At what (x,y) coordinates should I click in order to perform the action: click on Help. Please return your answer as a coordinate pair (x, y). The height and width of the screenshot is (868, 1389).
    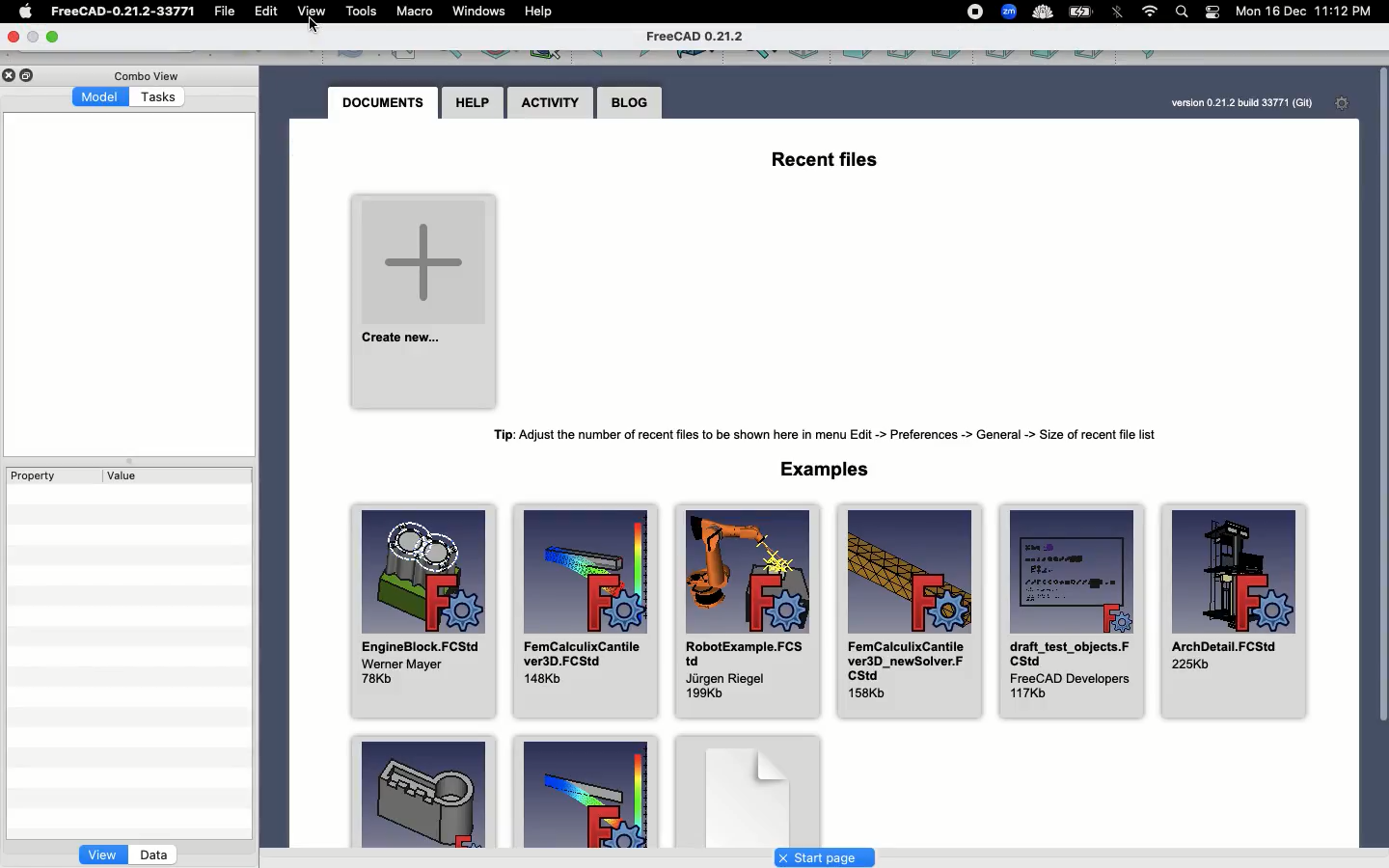
    Looking at the image, I should click on (541, 10).